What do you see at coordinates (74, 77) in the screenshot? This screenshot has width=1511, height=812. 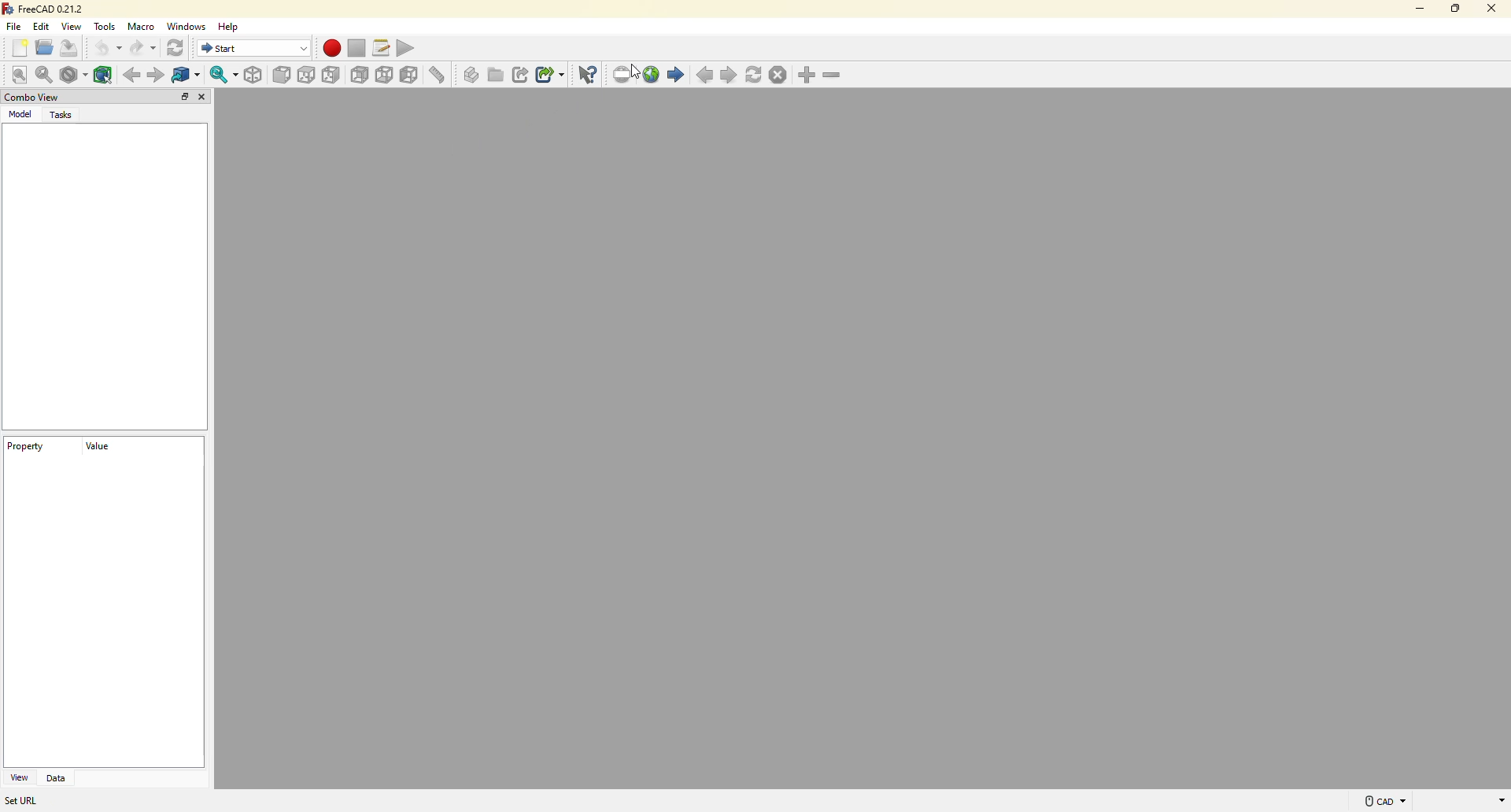 I see `draw style` at bounding box center [74, 77].